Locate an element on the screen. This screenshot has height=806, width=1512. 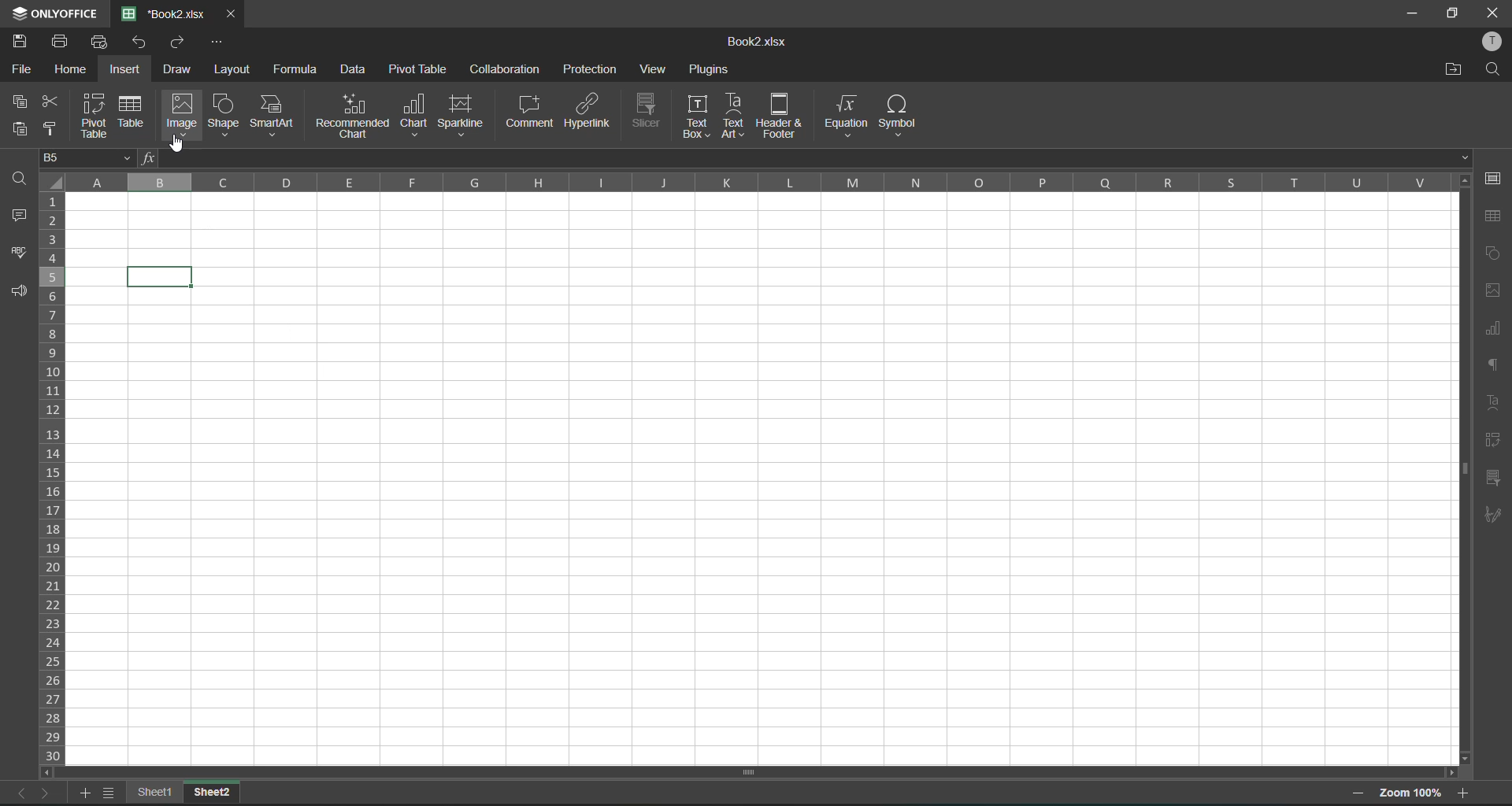
redo is located at coordinates (183, 43).